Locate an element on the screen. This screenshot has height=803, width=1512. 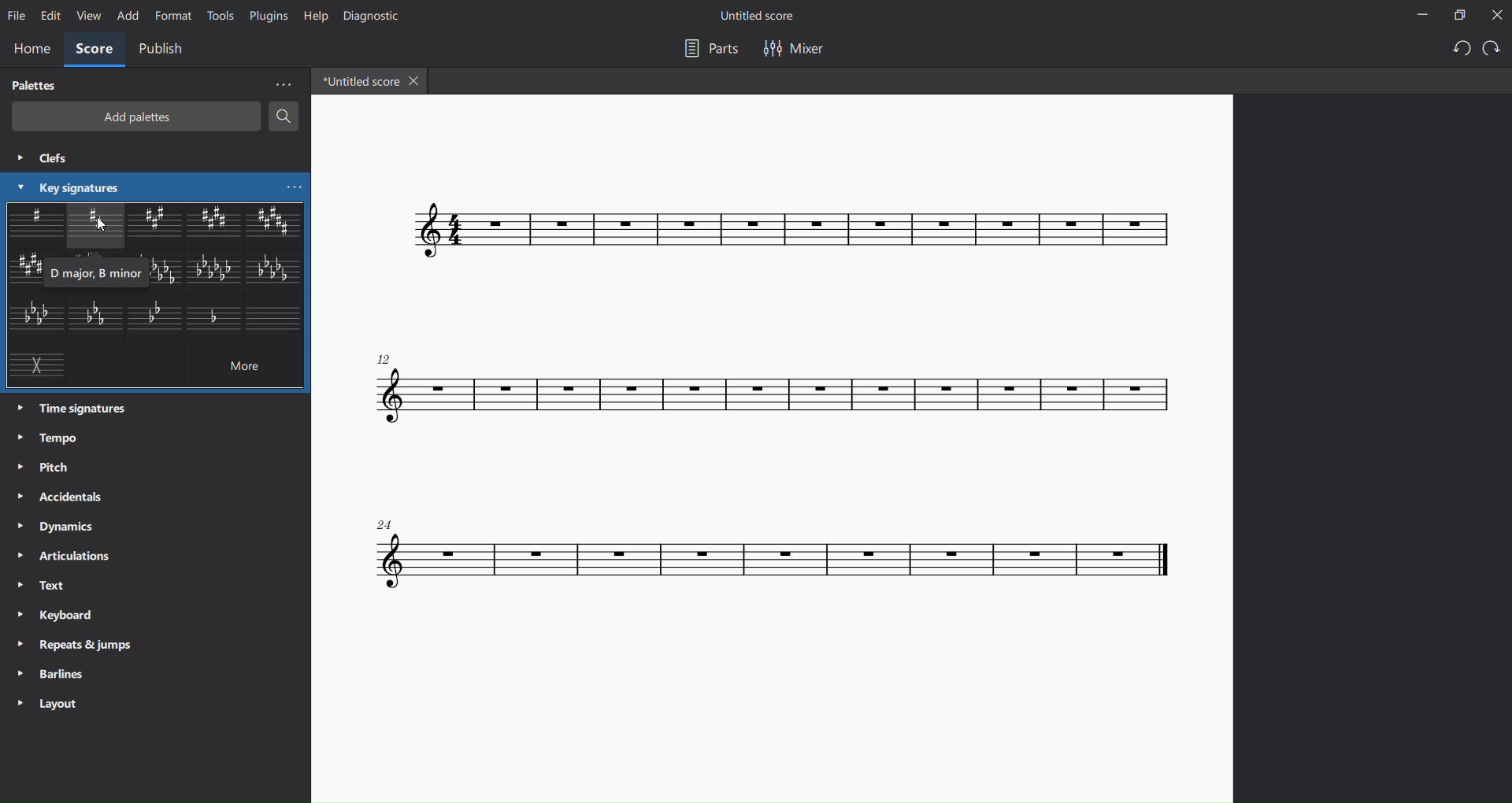
keyboard is located at coordinates (62, 615).